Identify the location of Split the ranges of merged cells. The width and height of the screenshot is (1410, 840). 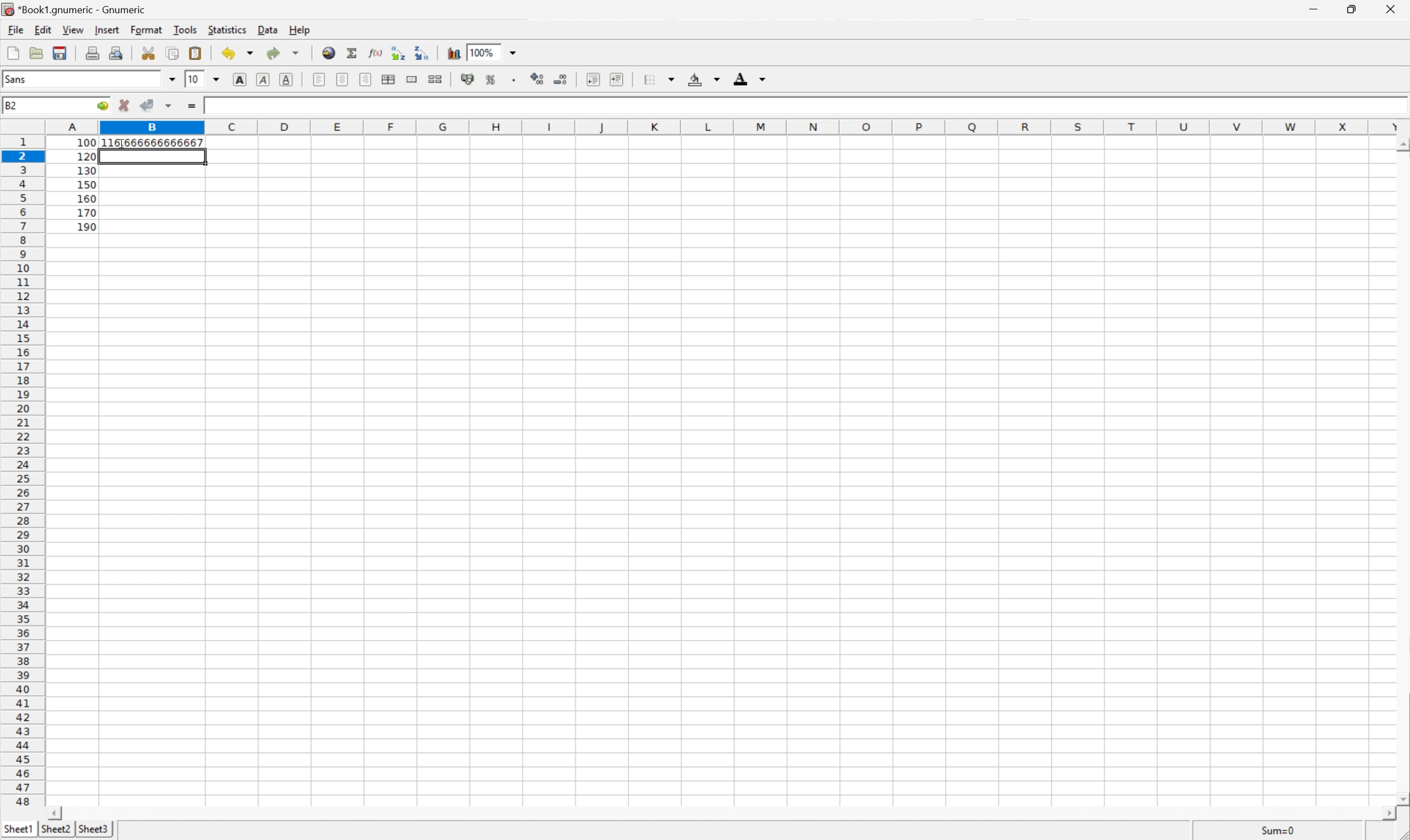
(435, 79).